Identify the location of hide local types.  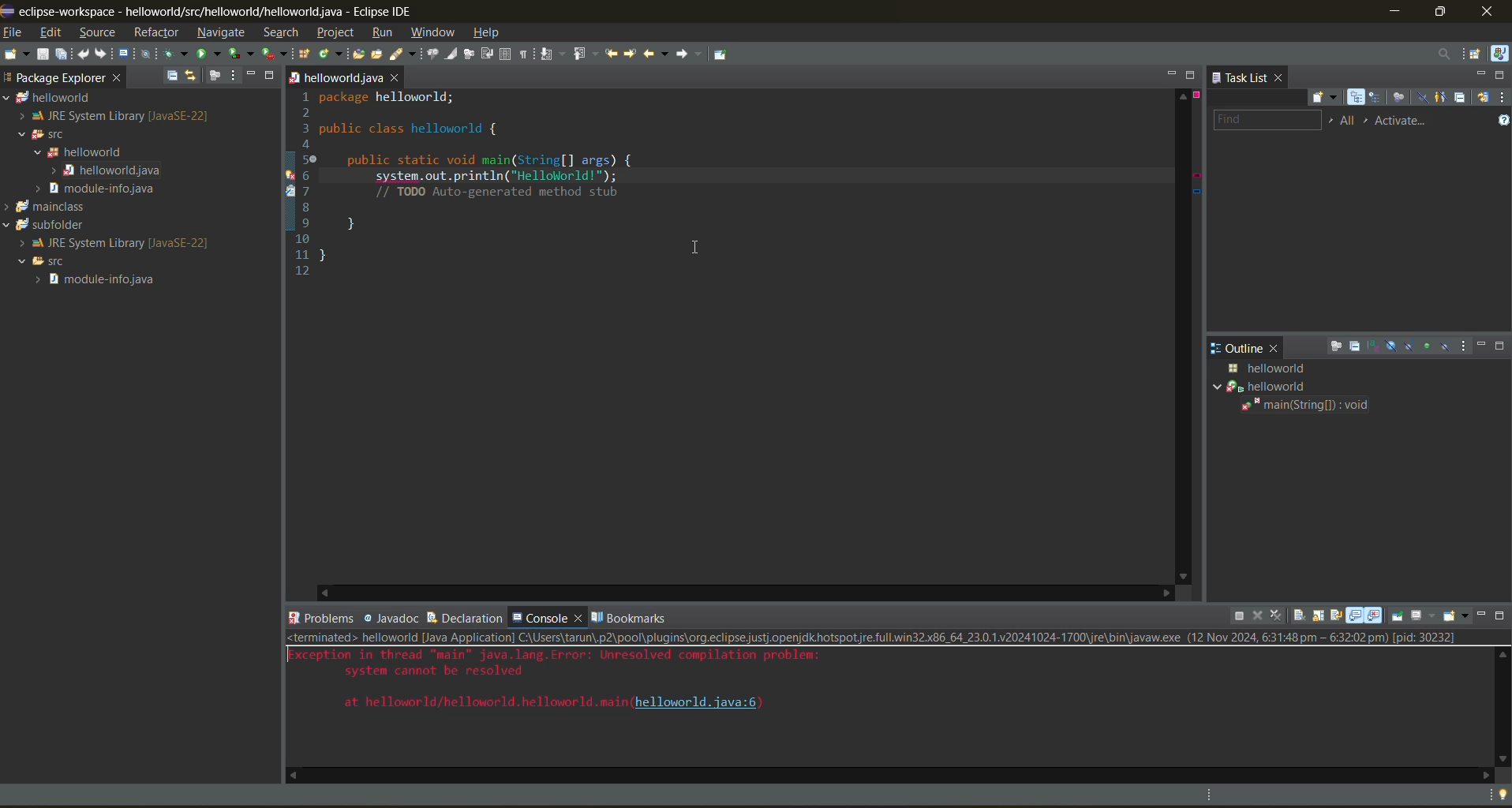
(1447, 345).